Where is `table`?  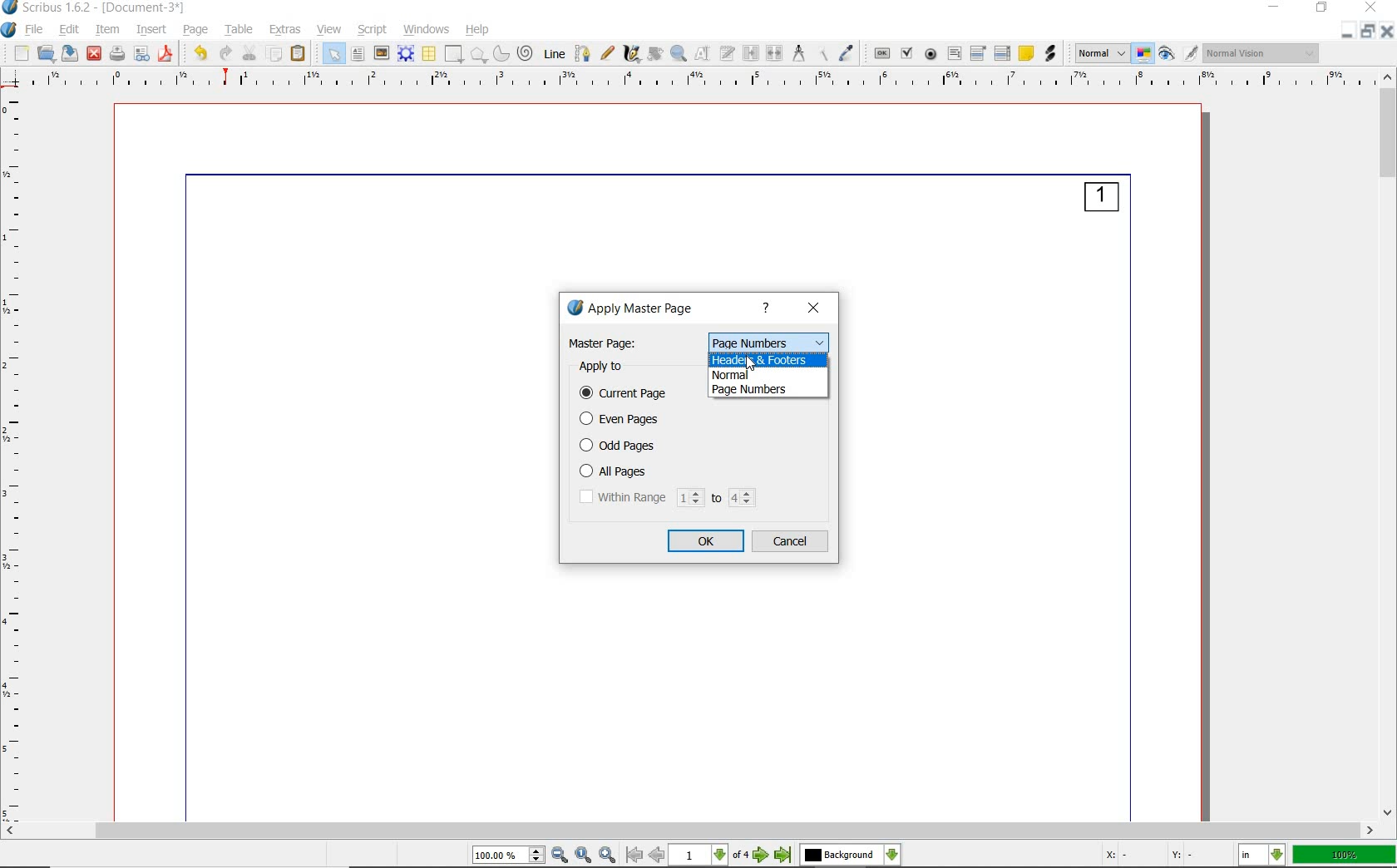
table is located at coordinates (239, 29).